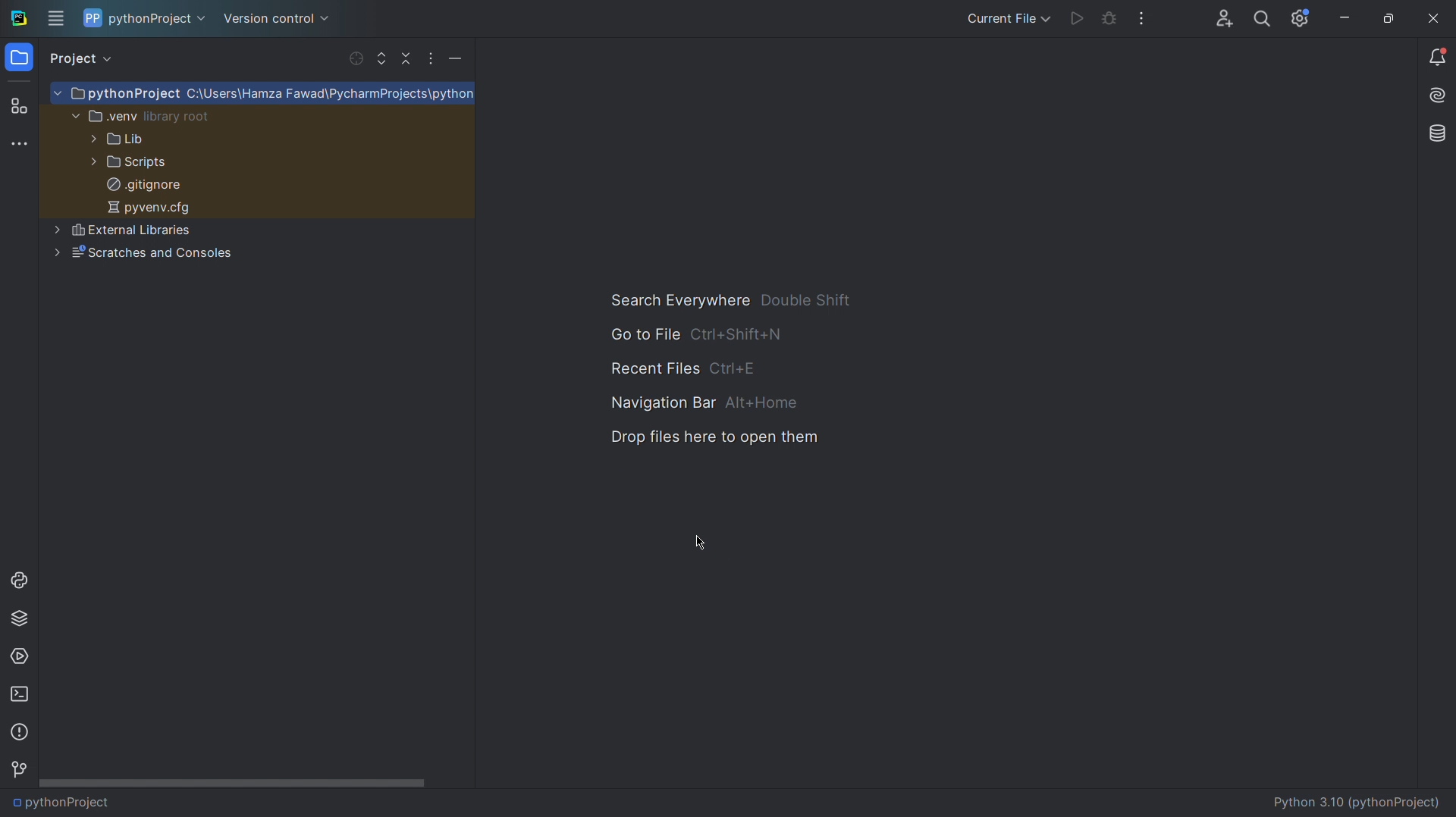 The height and width of the screenshot is (817, 1456). What do you see at coordinates (1358, 802) in the screenshot?
I see `Python 3.10 (pythonProject)` at bounding box center [1358, 802].